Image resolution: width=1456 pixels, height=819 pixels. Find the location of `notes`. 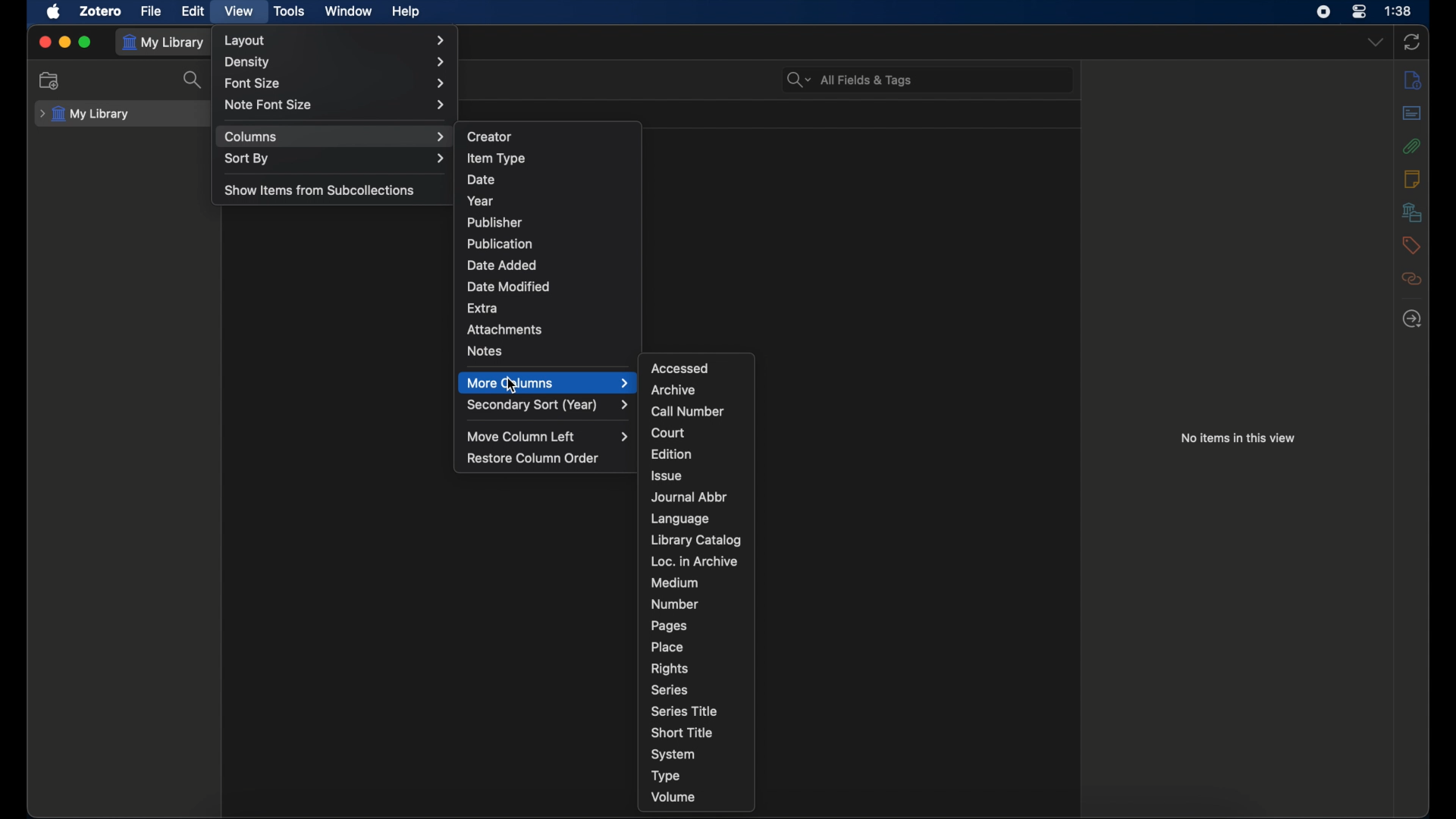

notes is located at coordinates (1411, 179).